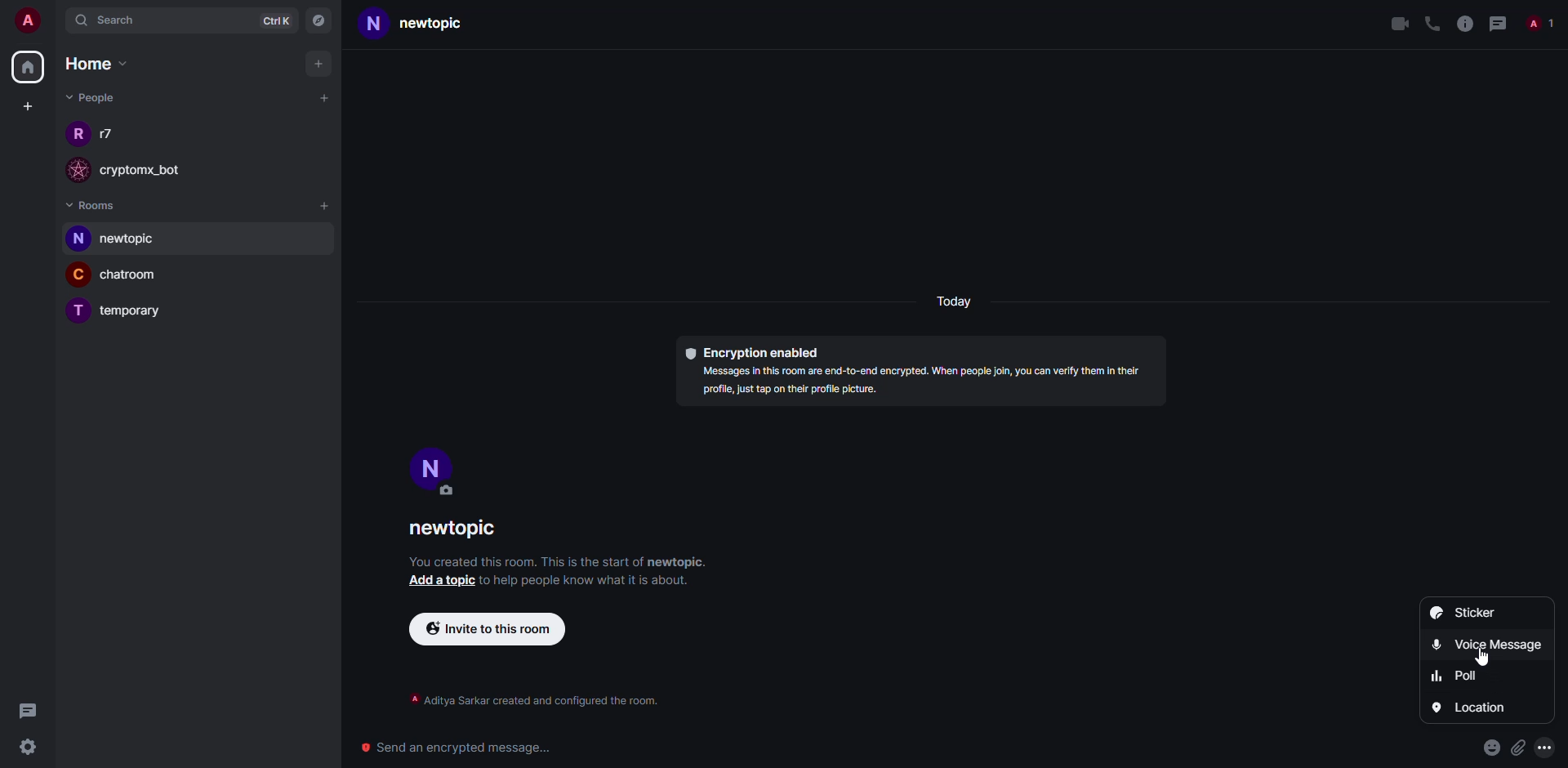  Describe the element at coordinates (1467, 613) in the screenshot. I see `sticker` at that location.